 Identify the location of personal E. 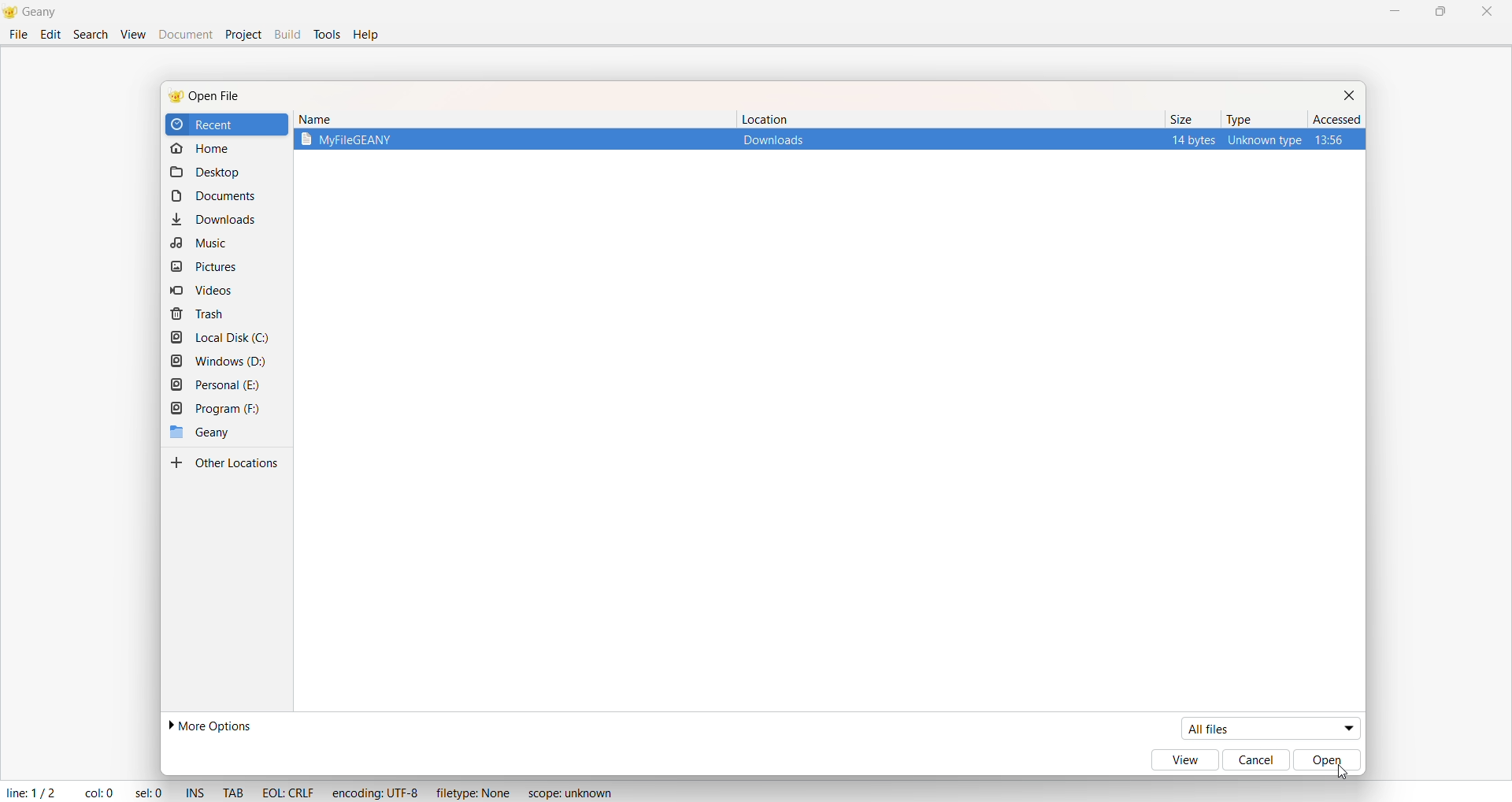
(215, 384).